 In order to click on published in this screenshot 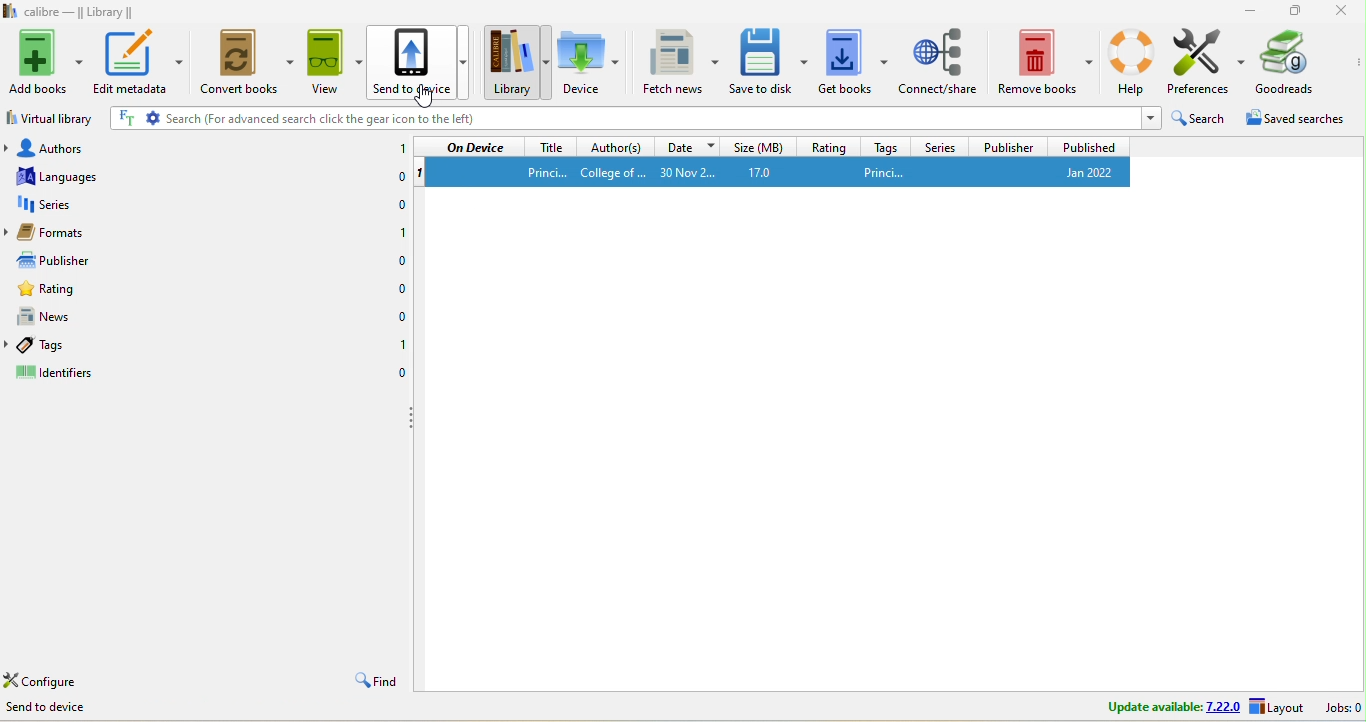, I will do `click(1084, 146)`.